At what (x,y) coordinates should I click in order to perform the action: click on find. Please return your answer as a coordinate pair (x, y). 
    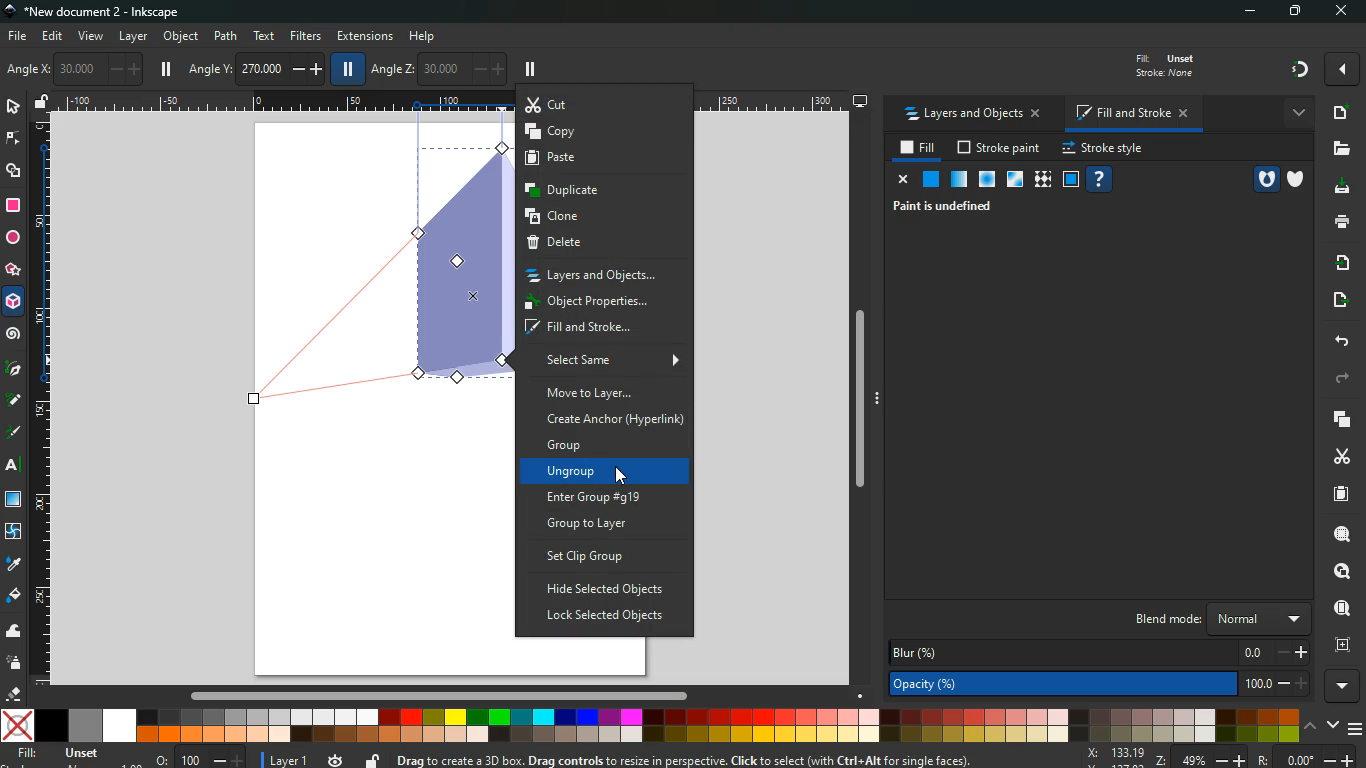
    Looking at the image, I should click on (1340, 609).